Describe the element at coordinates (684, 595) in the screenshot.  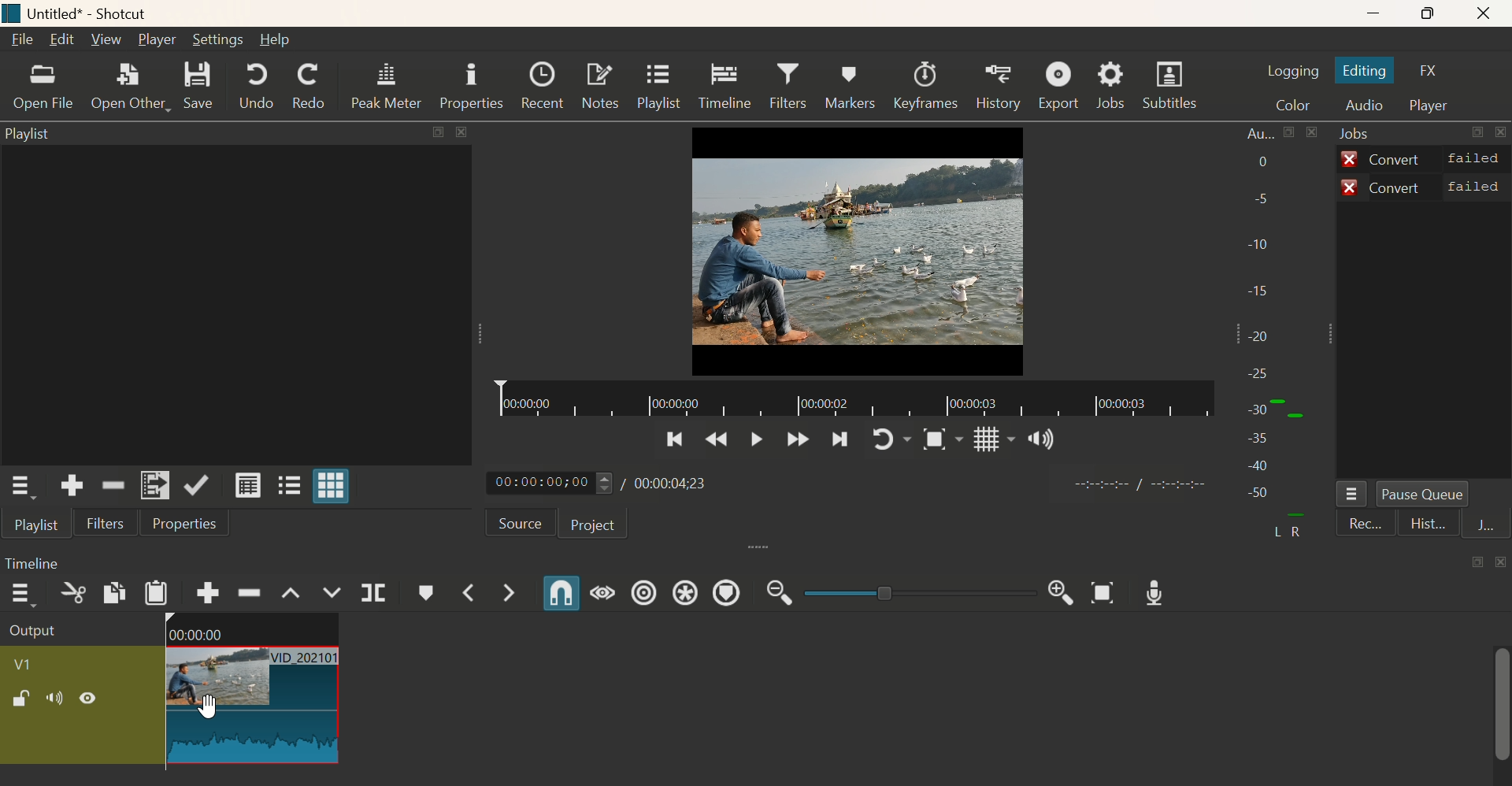
I see `` at that location.